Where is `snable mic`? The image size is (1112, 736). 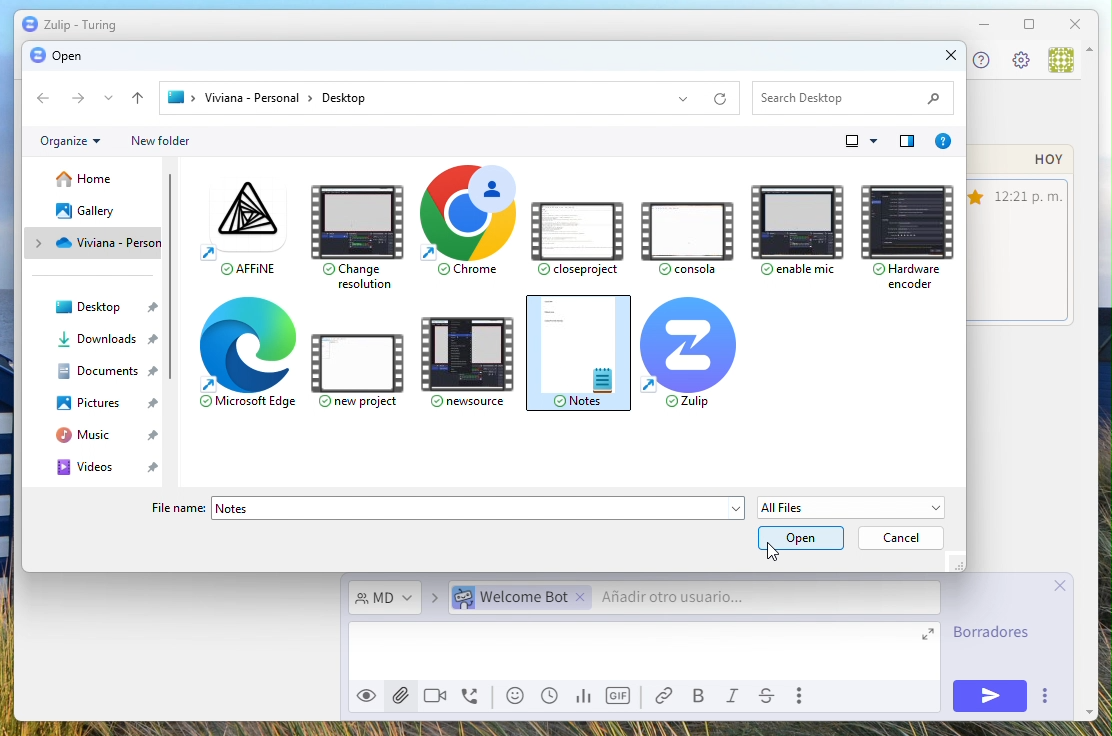
snable mic is located at coordinates (796, 223).